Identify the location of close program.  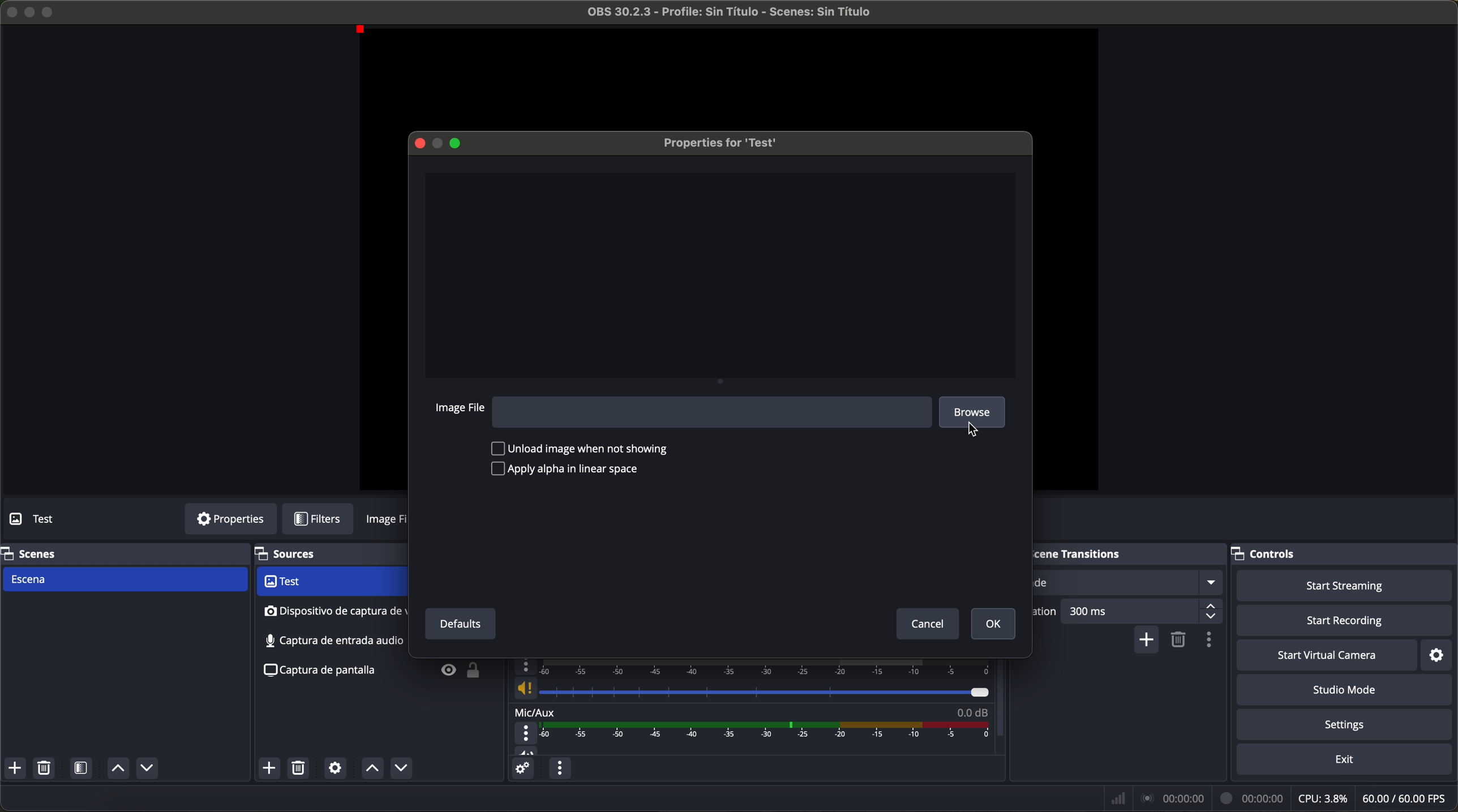
(10, 11).